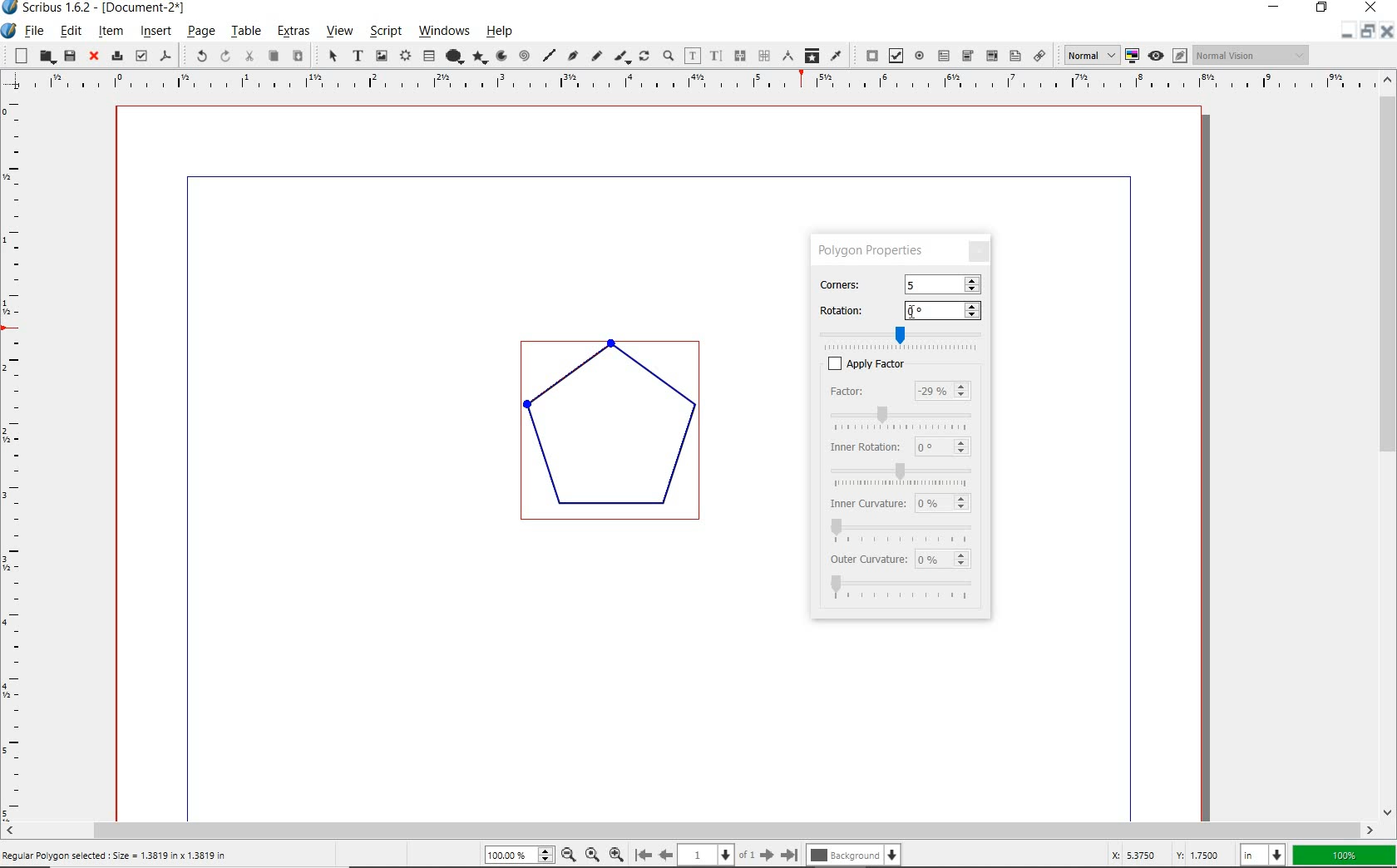 The image size is (1397, 868). I want to click on paste, so click(298, 57).